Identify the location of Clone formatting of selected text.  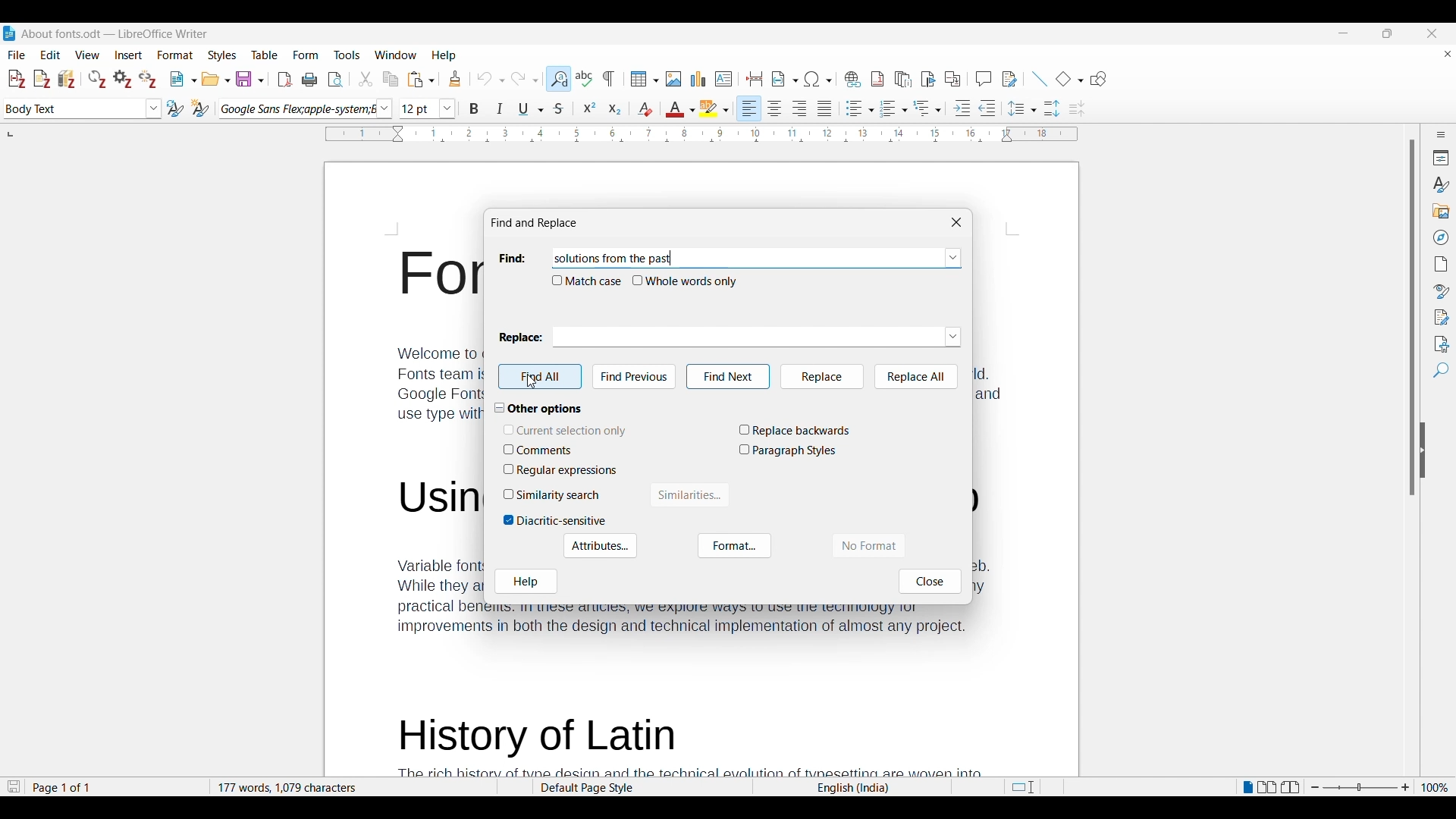
(455, 79).